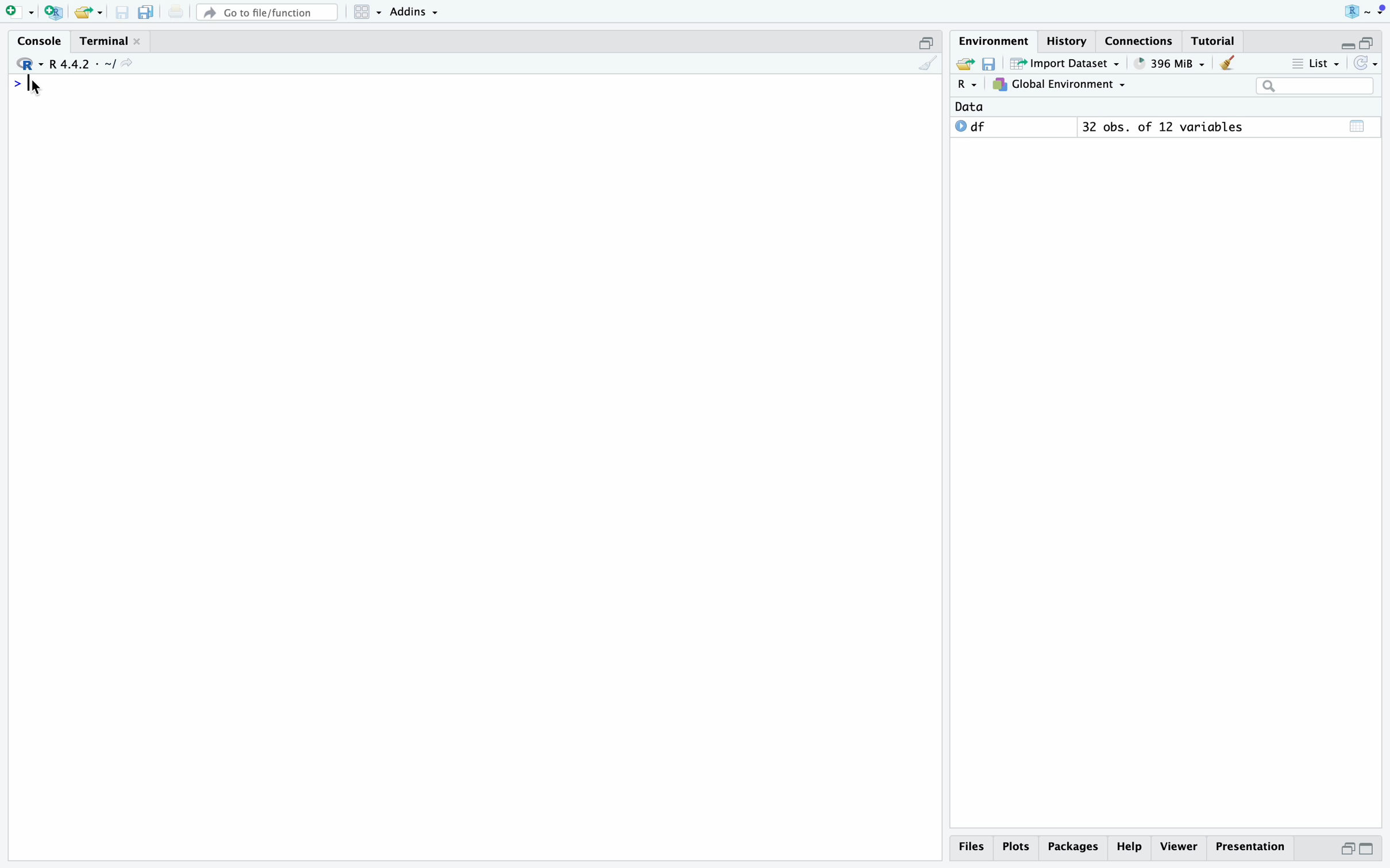  What do you see at coordinates (1347, 45) in the screenshot?
I see `Collapse/expand` at bounding box center [1347, 45].